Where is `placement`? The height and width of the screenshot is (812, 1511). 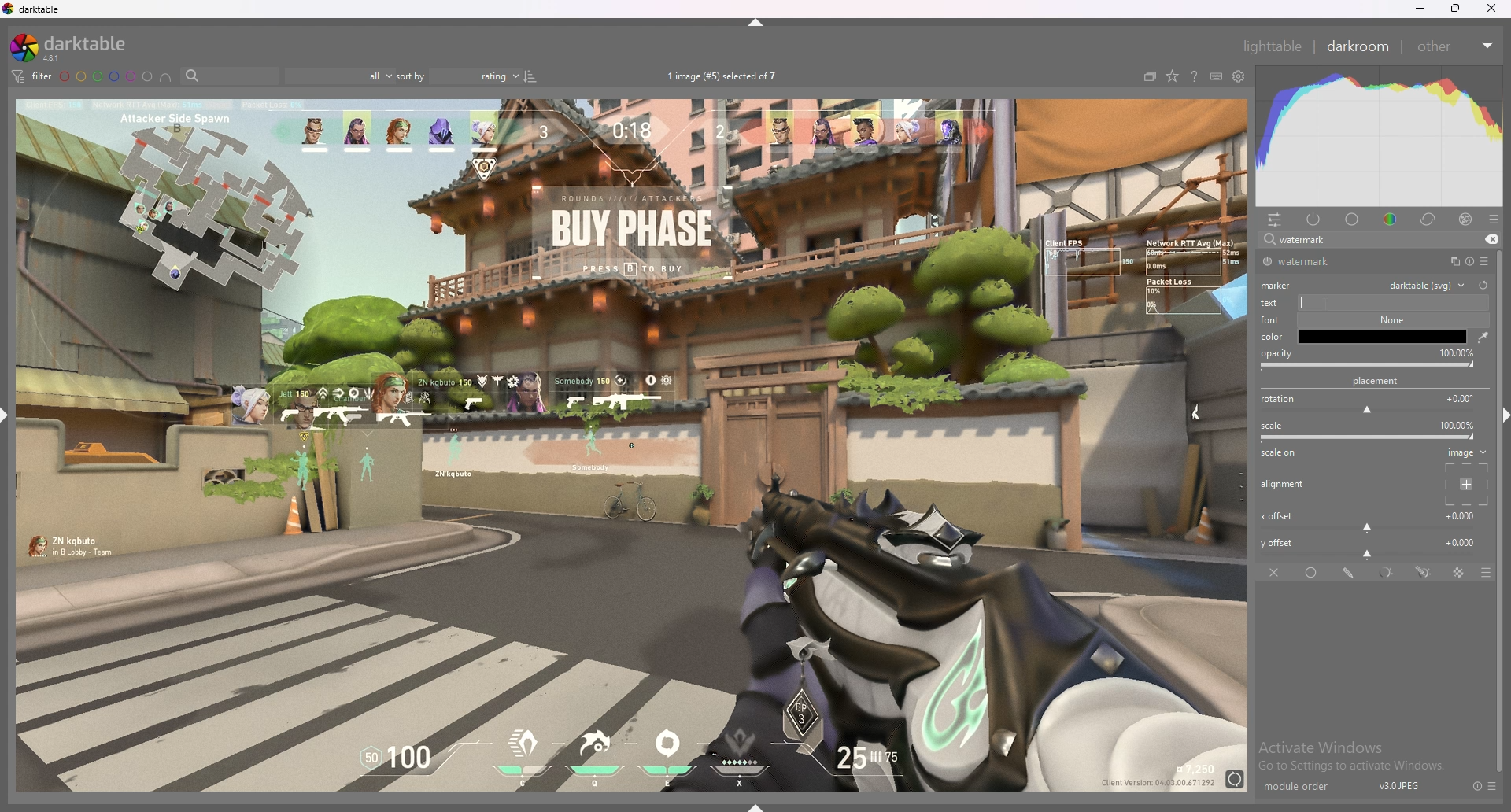
placement is located at coordinates (1379, 381).